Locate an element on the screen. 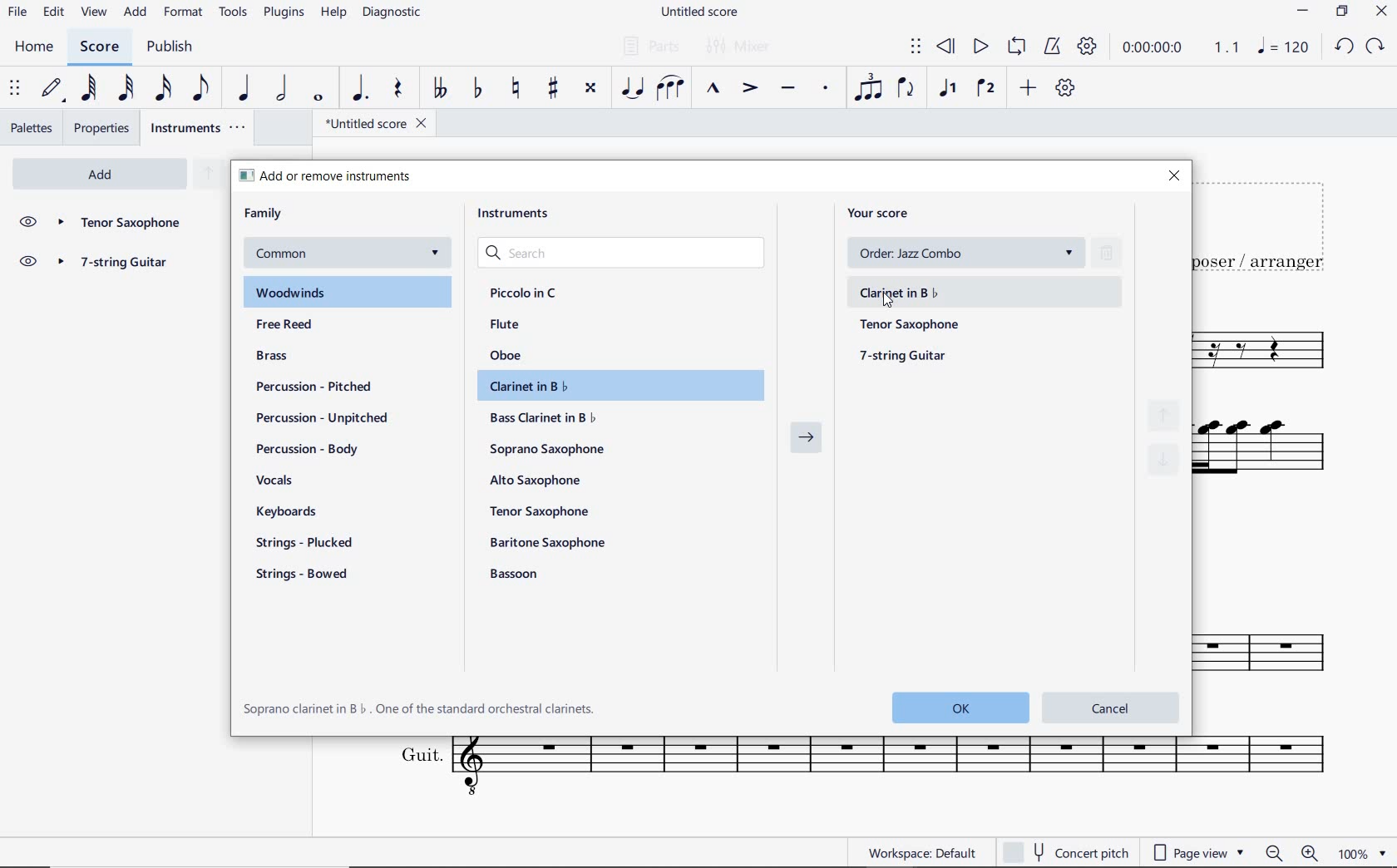 Image resolution: width=1397 pixels, height=868 pixels. Tenor saxophone is located at coordinates (119, 224).